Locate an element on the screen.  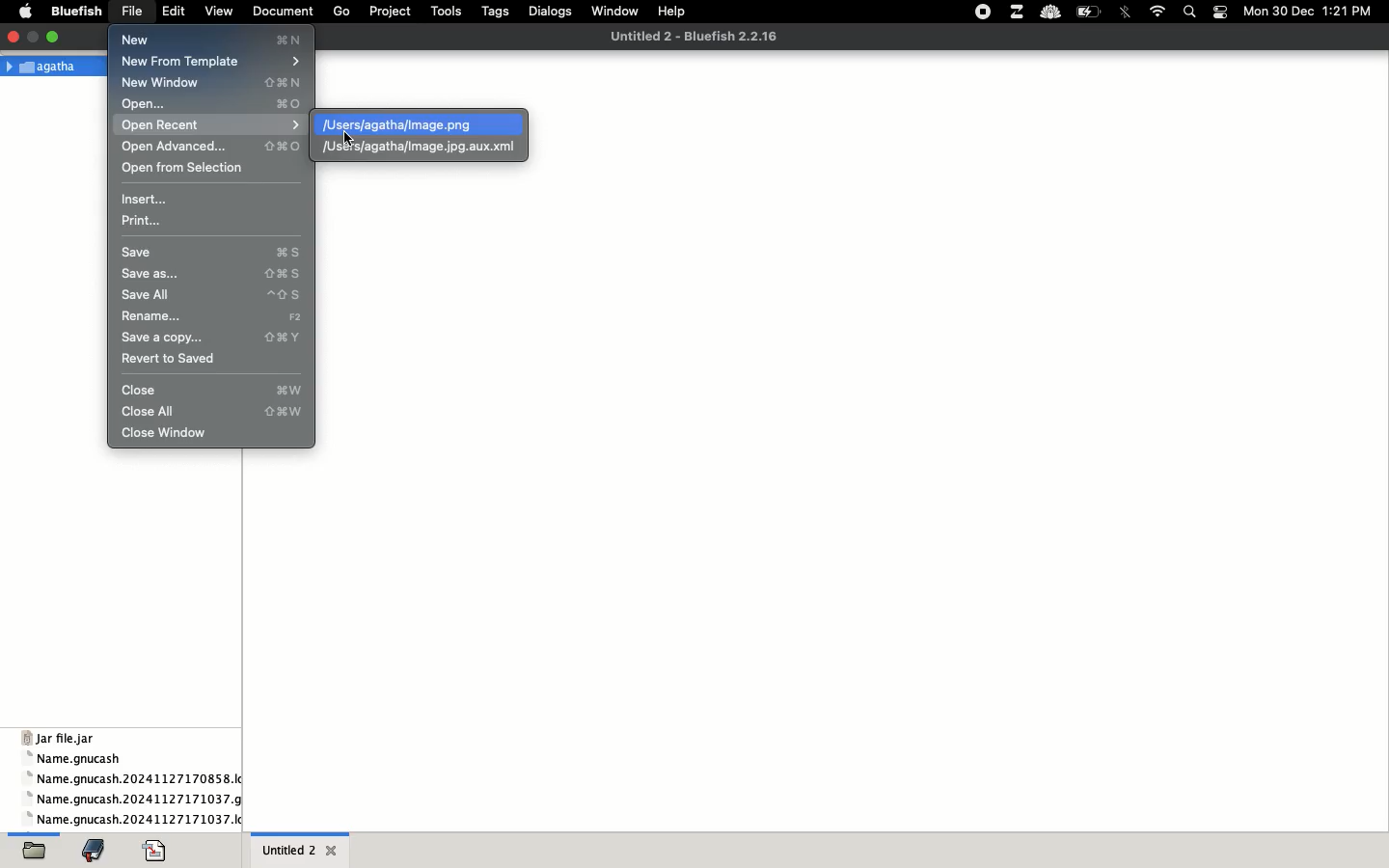
jar file jar is located at coordinates (59, 736).